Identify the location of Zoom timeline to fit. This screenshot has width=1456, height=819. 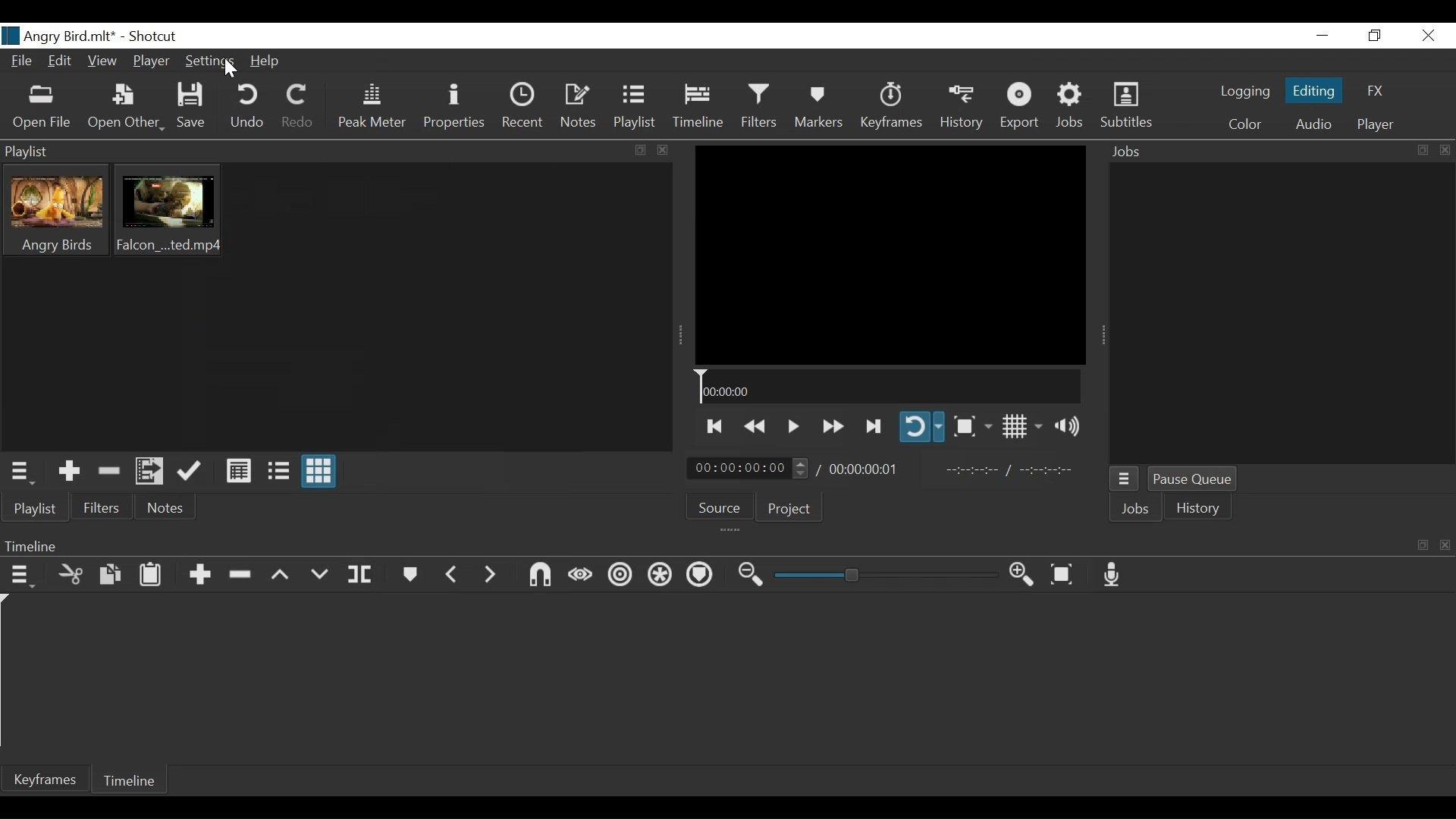
(1064, 575).